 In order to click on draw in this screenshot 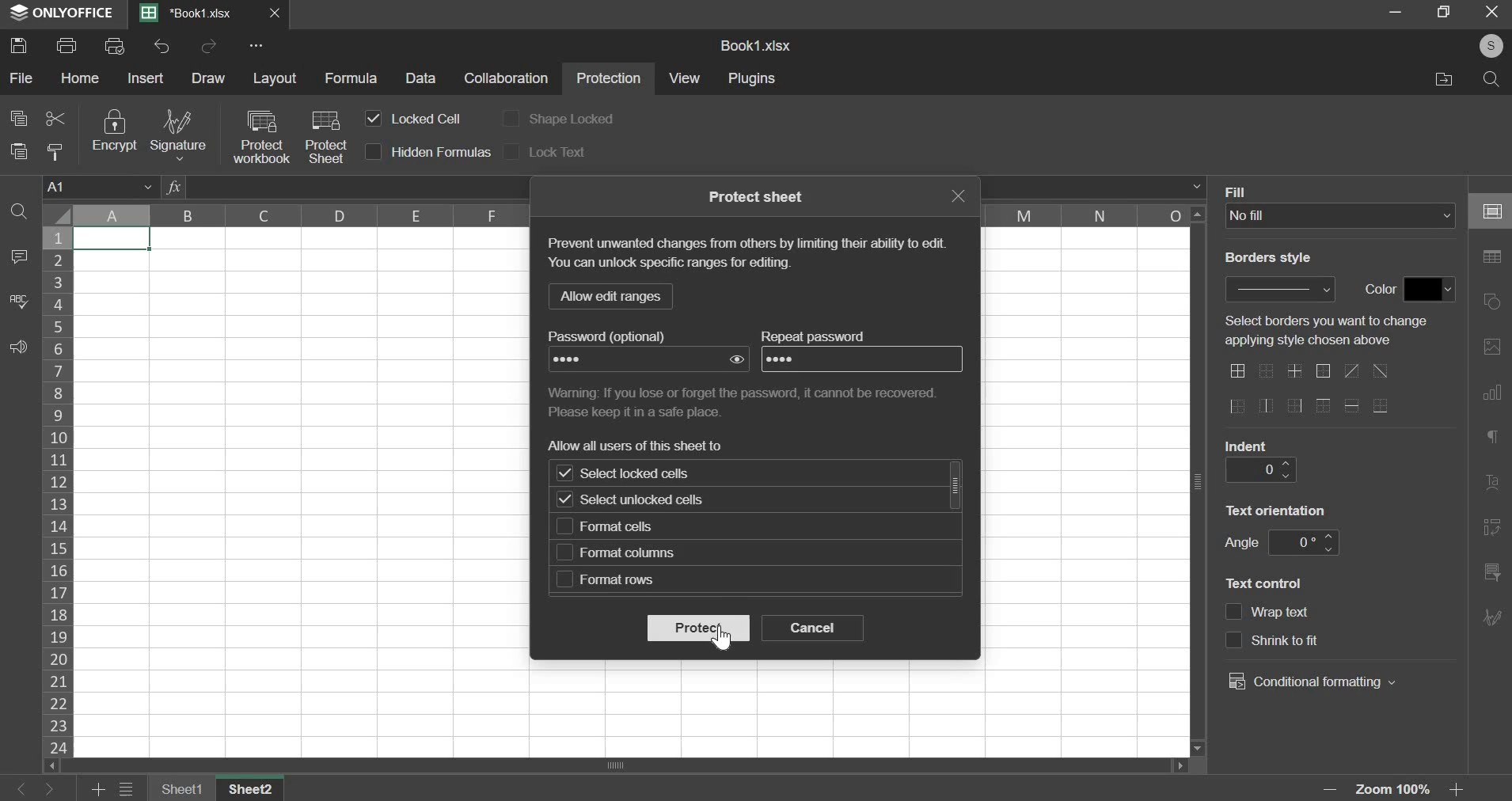, I will do `click(208, 78)`.